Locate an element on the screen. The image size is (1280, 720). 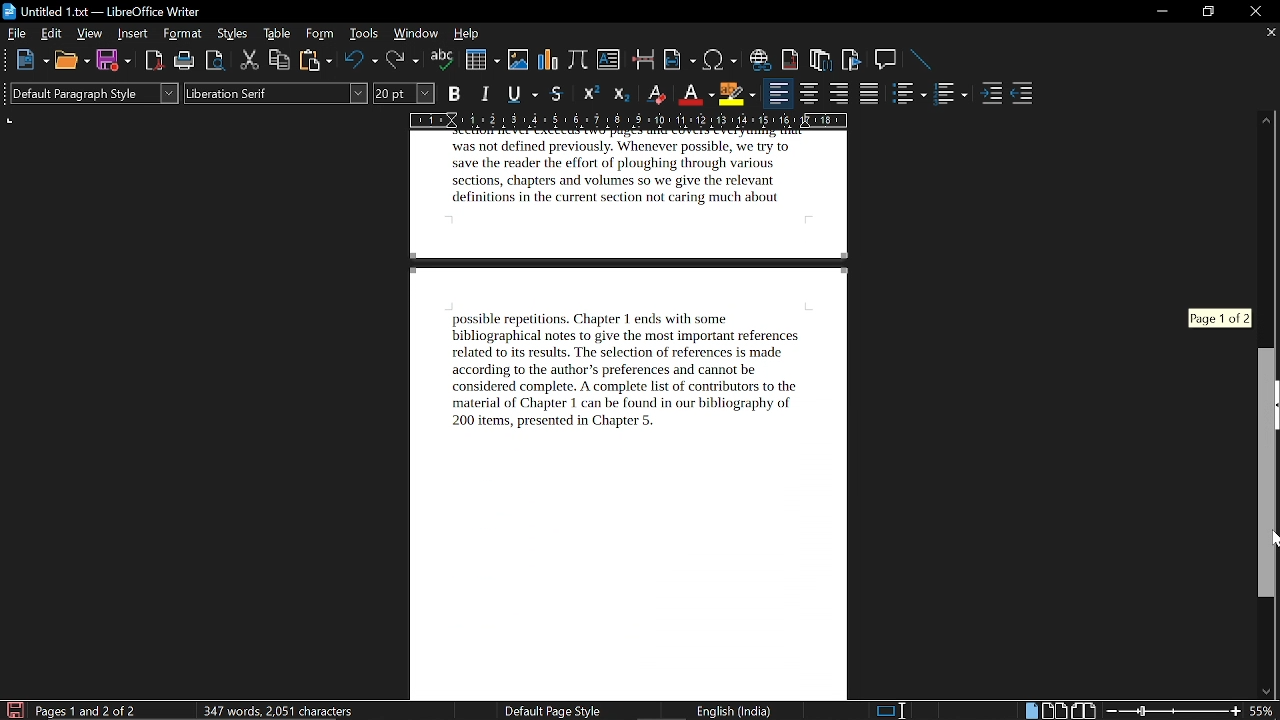
open is located at coordinates (71, 61).